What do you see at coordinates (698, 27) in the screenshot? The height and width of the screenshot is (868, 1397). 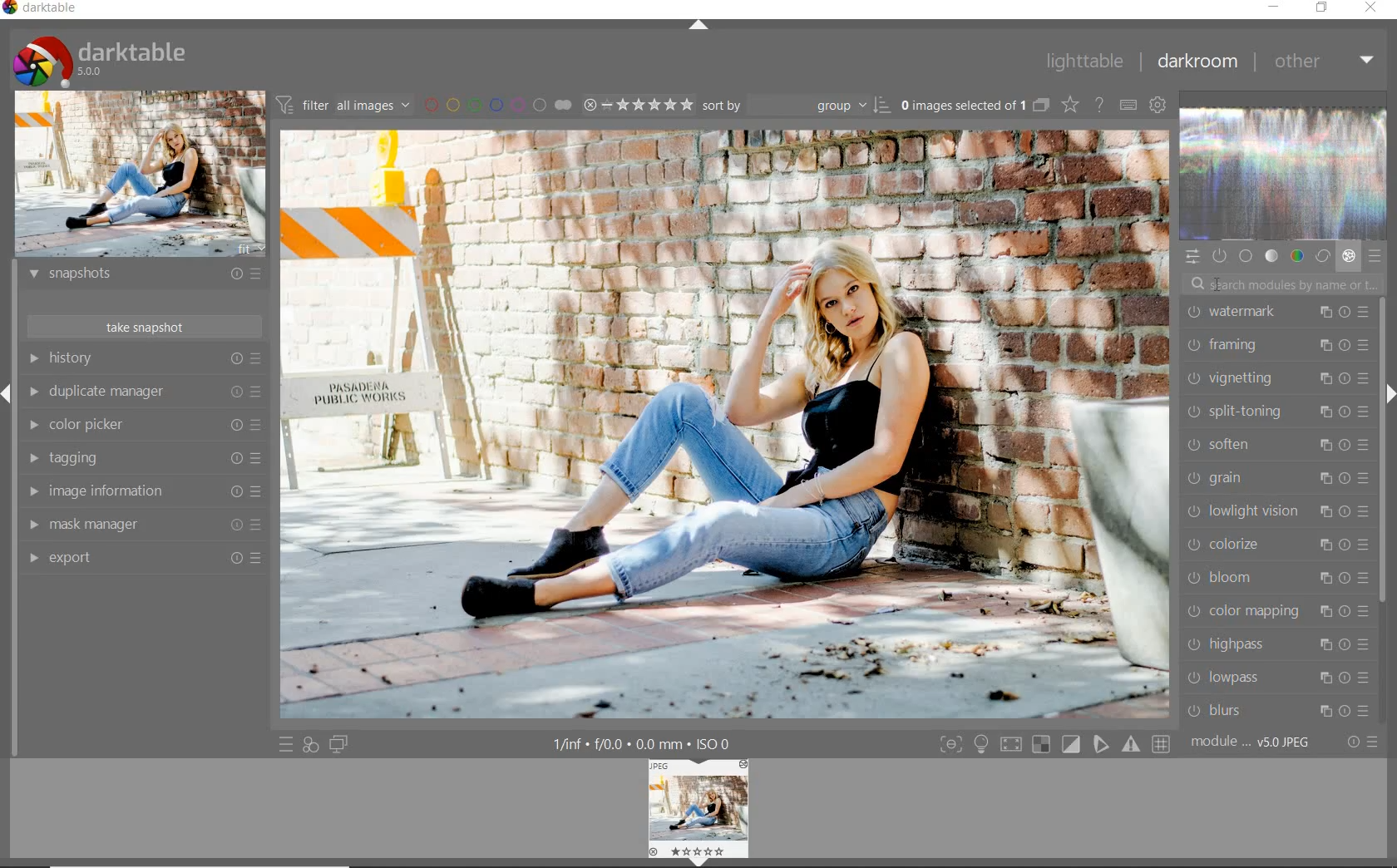 I see `expand/collapse` at bounding box center [698, 27].